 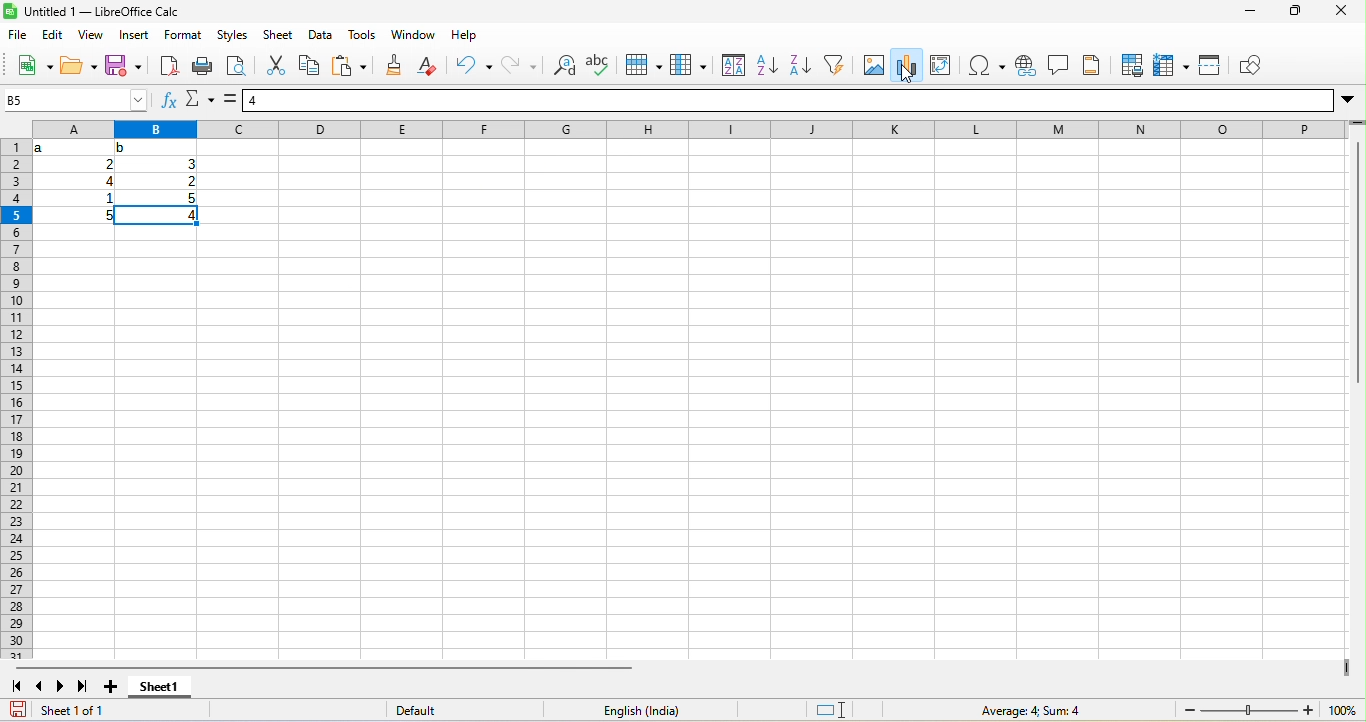 I want to click on select function, so click(x=200, y=99).